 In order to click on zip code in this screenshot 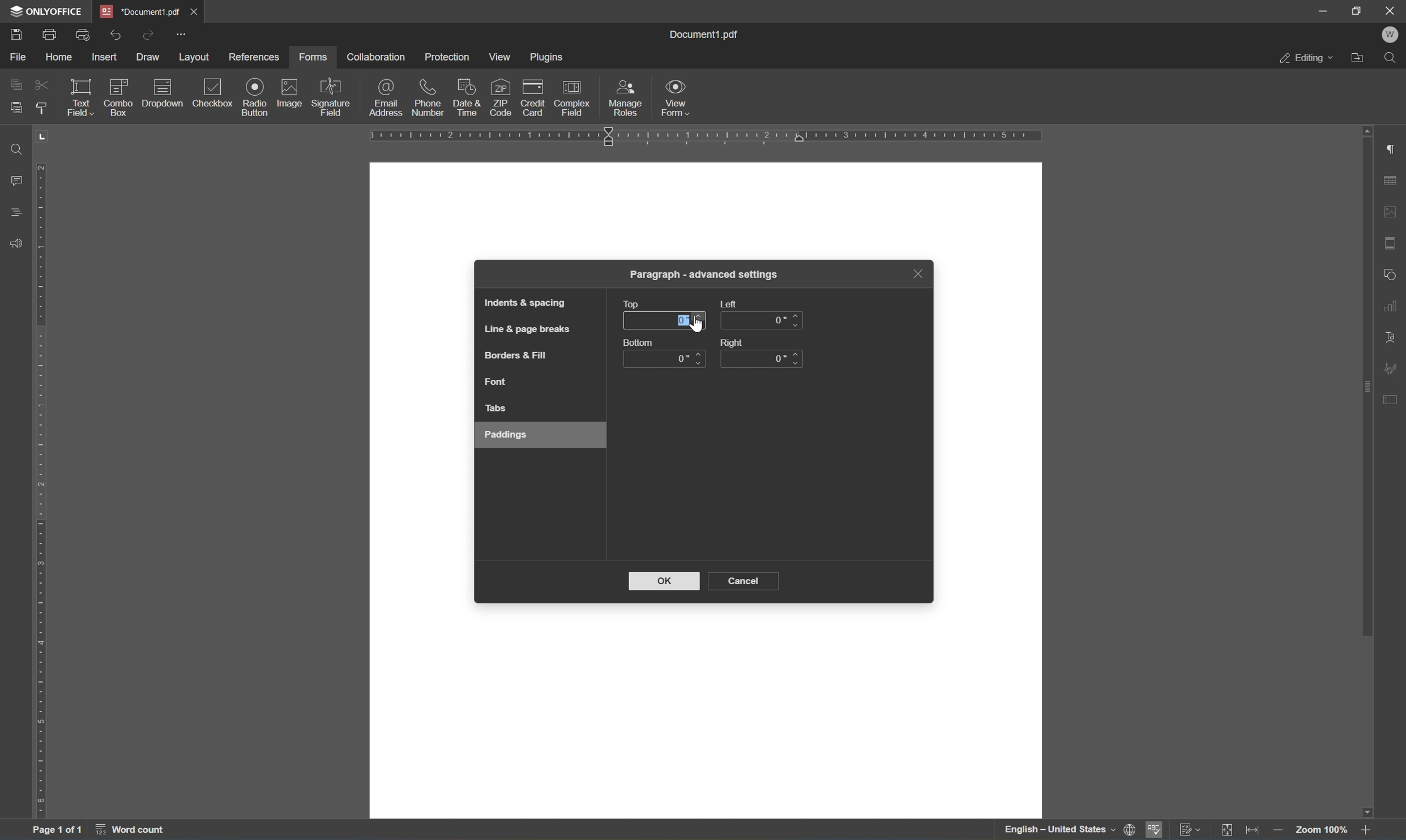, I will do `click(500, 97)`.